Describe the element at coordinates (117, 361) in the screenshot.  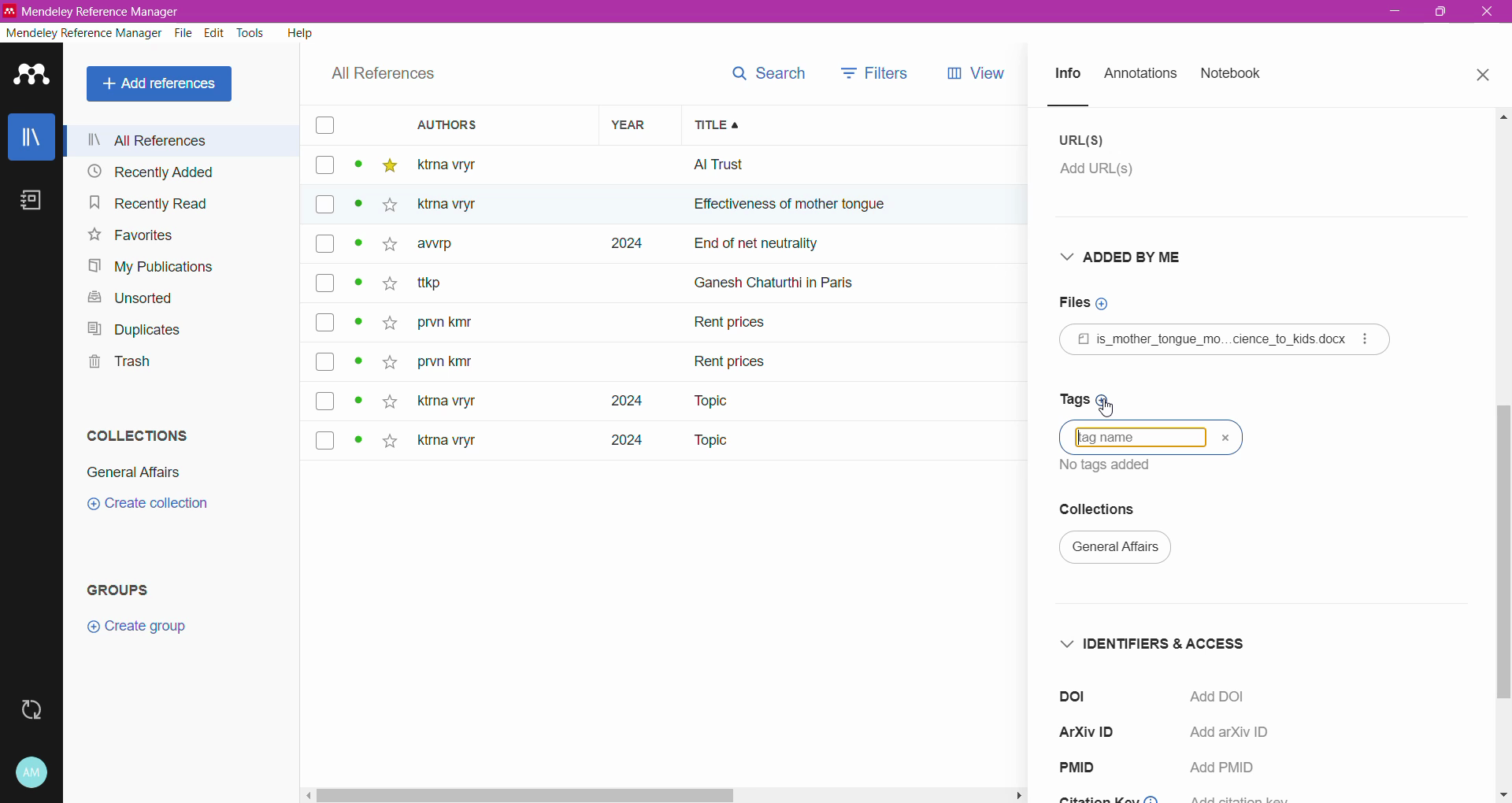
I see `Trash` at that location.